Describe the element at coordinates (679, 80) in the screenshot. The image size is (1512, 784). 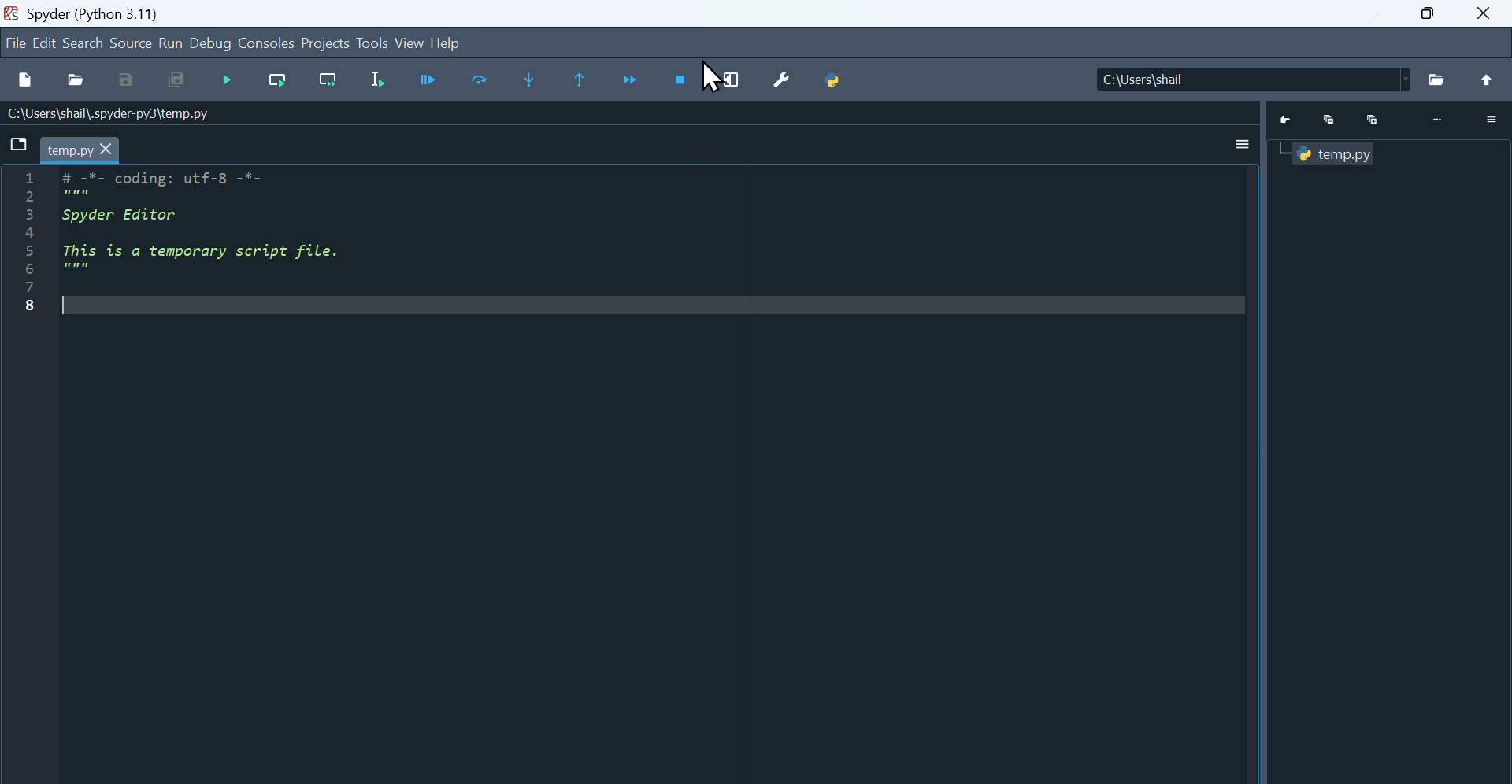
I see `Stop debugging` at that location.